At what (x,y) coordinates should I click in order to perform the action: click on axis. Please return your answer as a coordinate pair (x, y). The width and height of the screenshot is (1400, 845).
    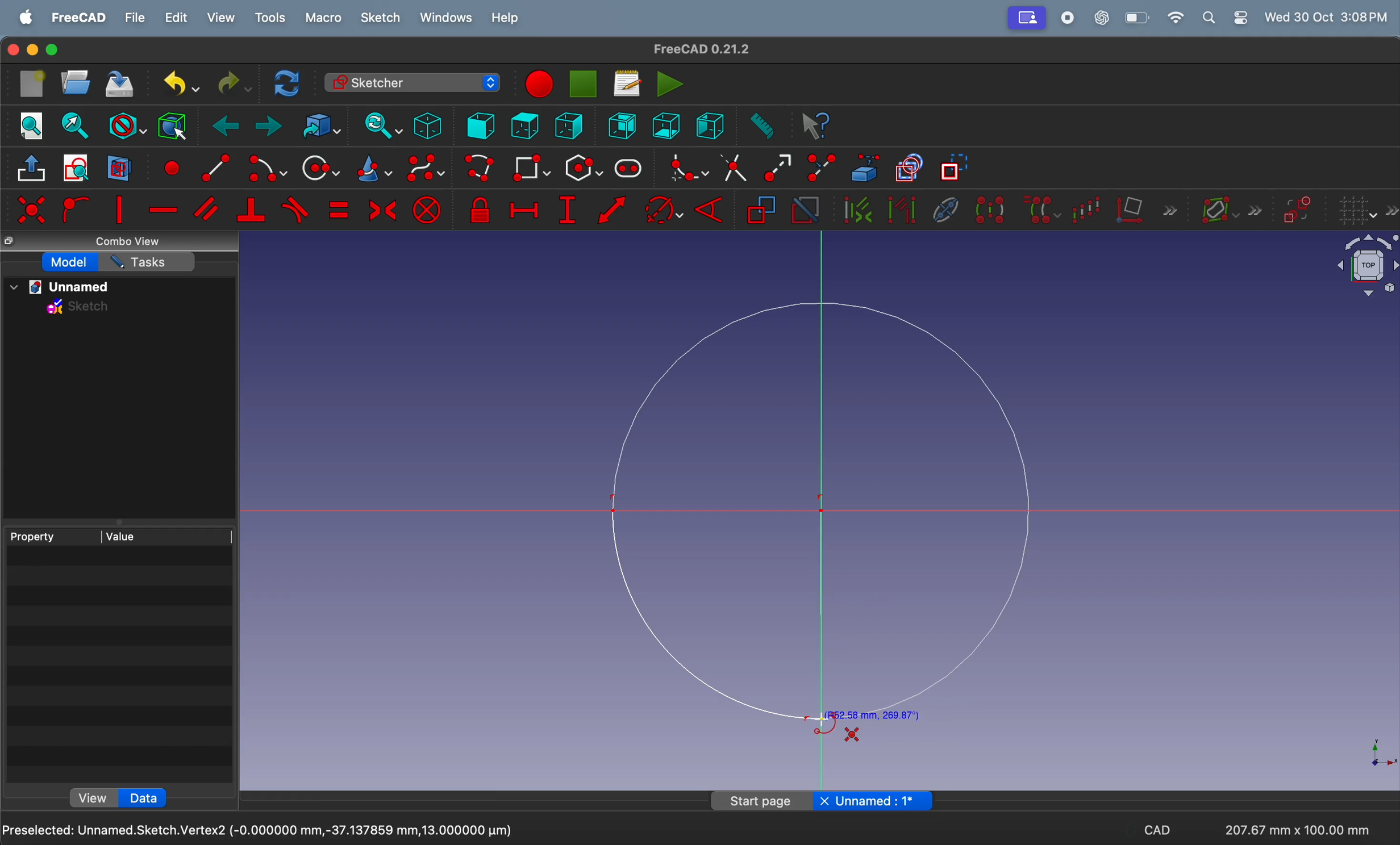
    Looking at the image, I should click on (1376, 752).